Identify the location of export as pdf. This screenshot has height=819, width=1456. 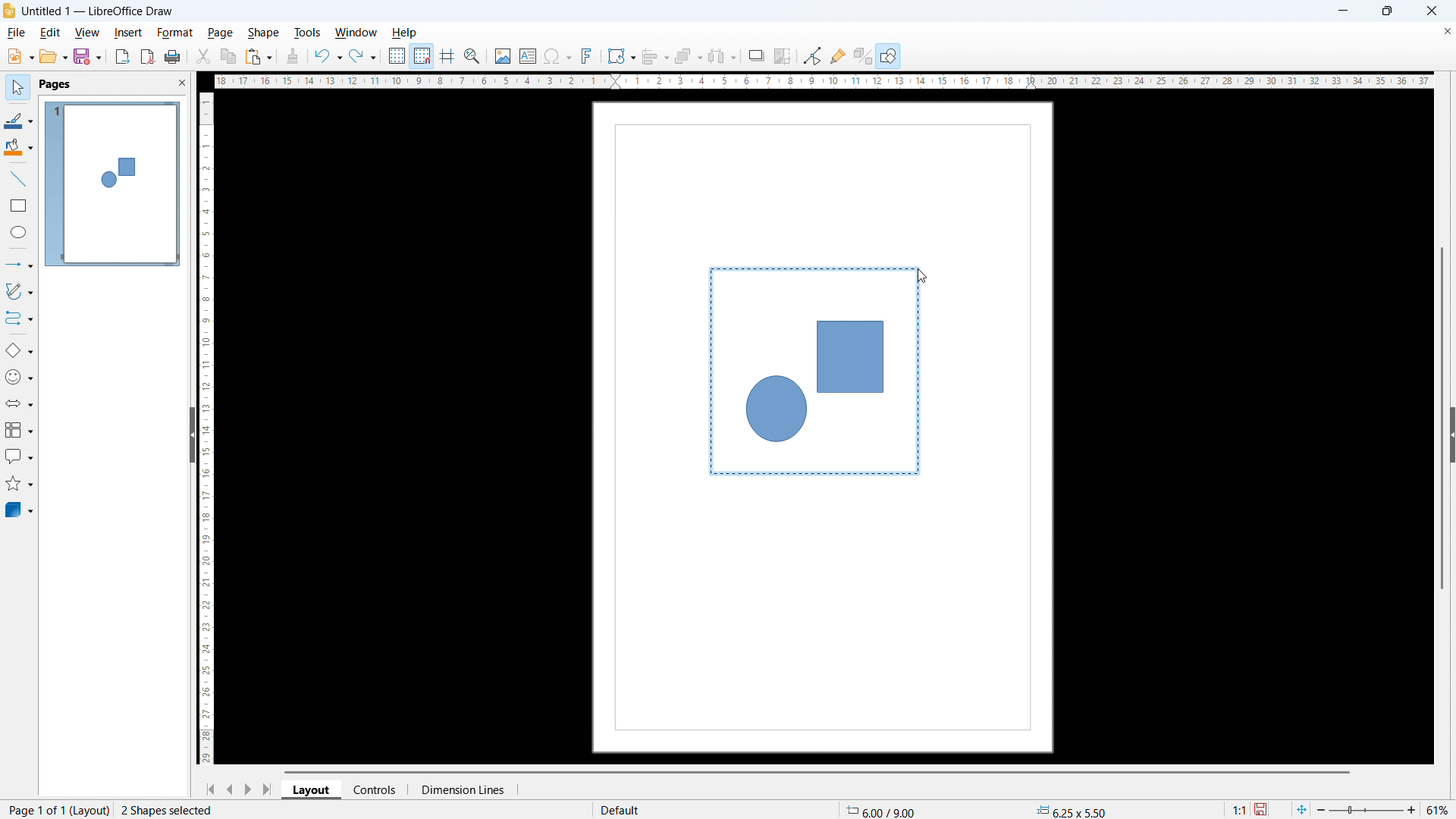
(148, 57).